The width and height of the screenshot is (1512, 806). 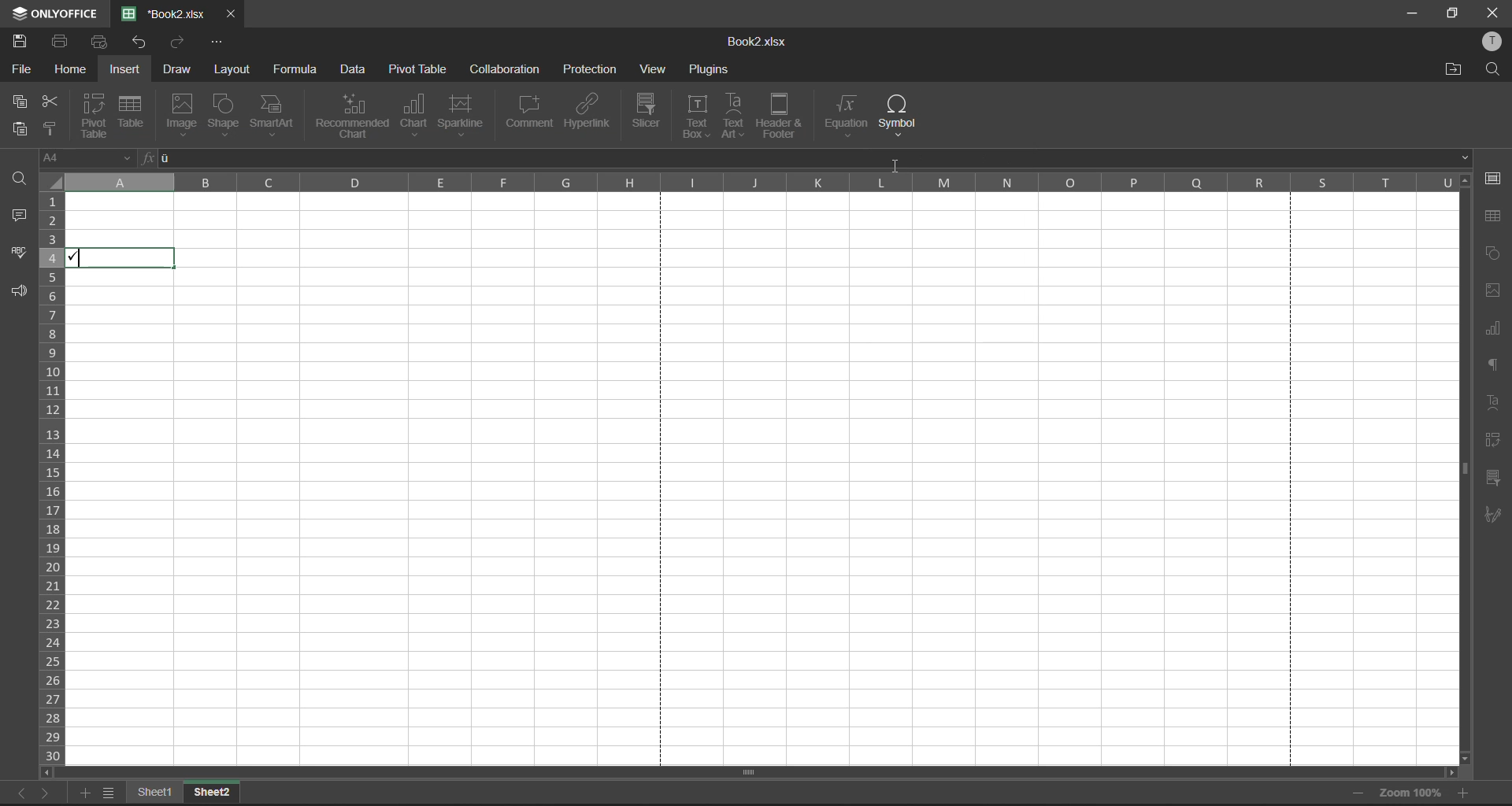 What do you see at coordinates (1411, 793) in the screenshot?
I see `zoom factor` at bounding box center [1411, 793].